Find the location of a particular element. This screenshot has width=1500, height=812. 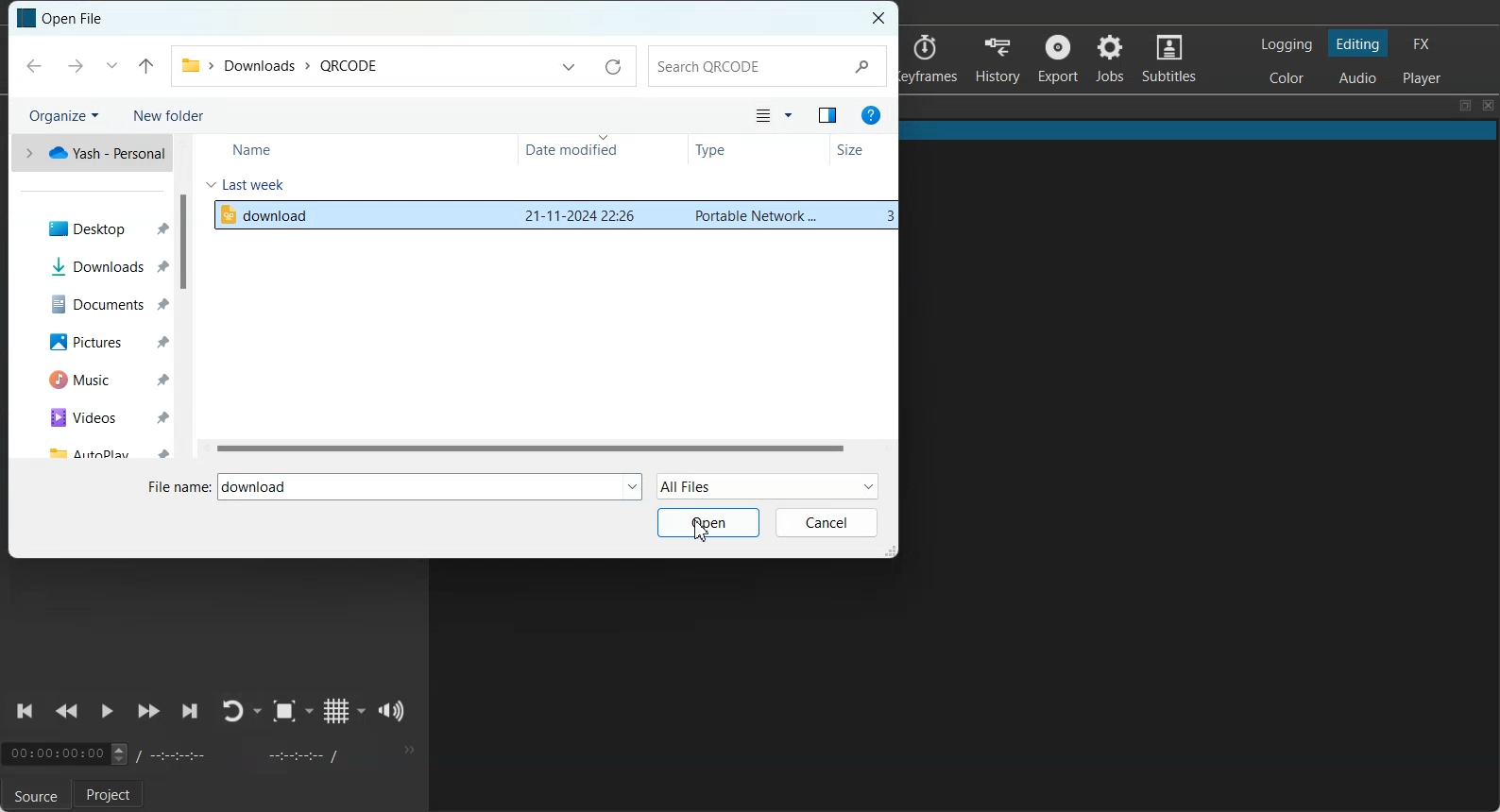

All Files is located at coordinates (767, 486).